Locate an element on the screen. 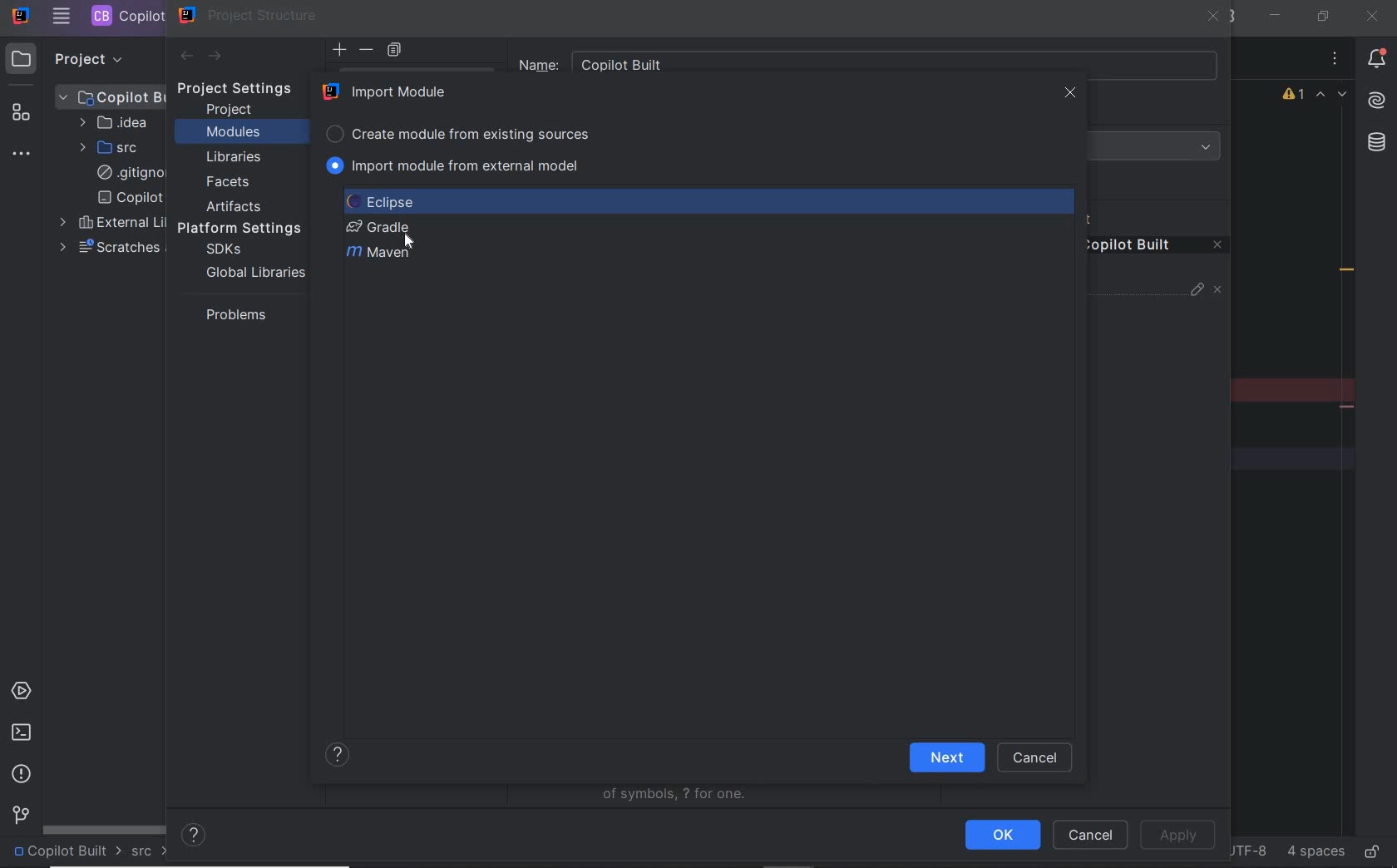 The width and height of the screenshot is (1397, 868). external libraries is located at coordinates (109, 223).